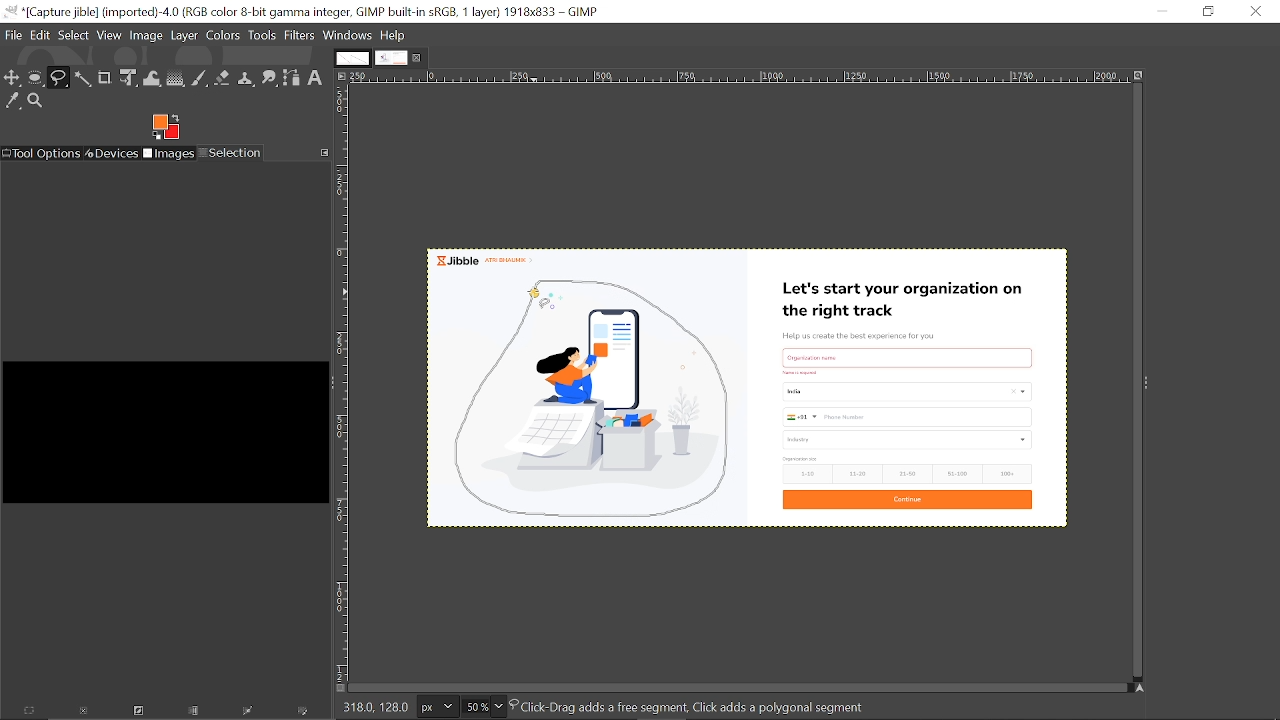 This screenshot has width=1280, height=720. I want to click on Close, so click(1255, 11).